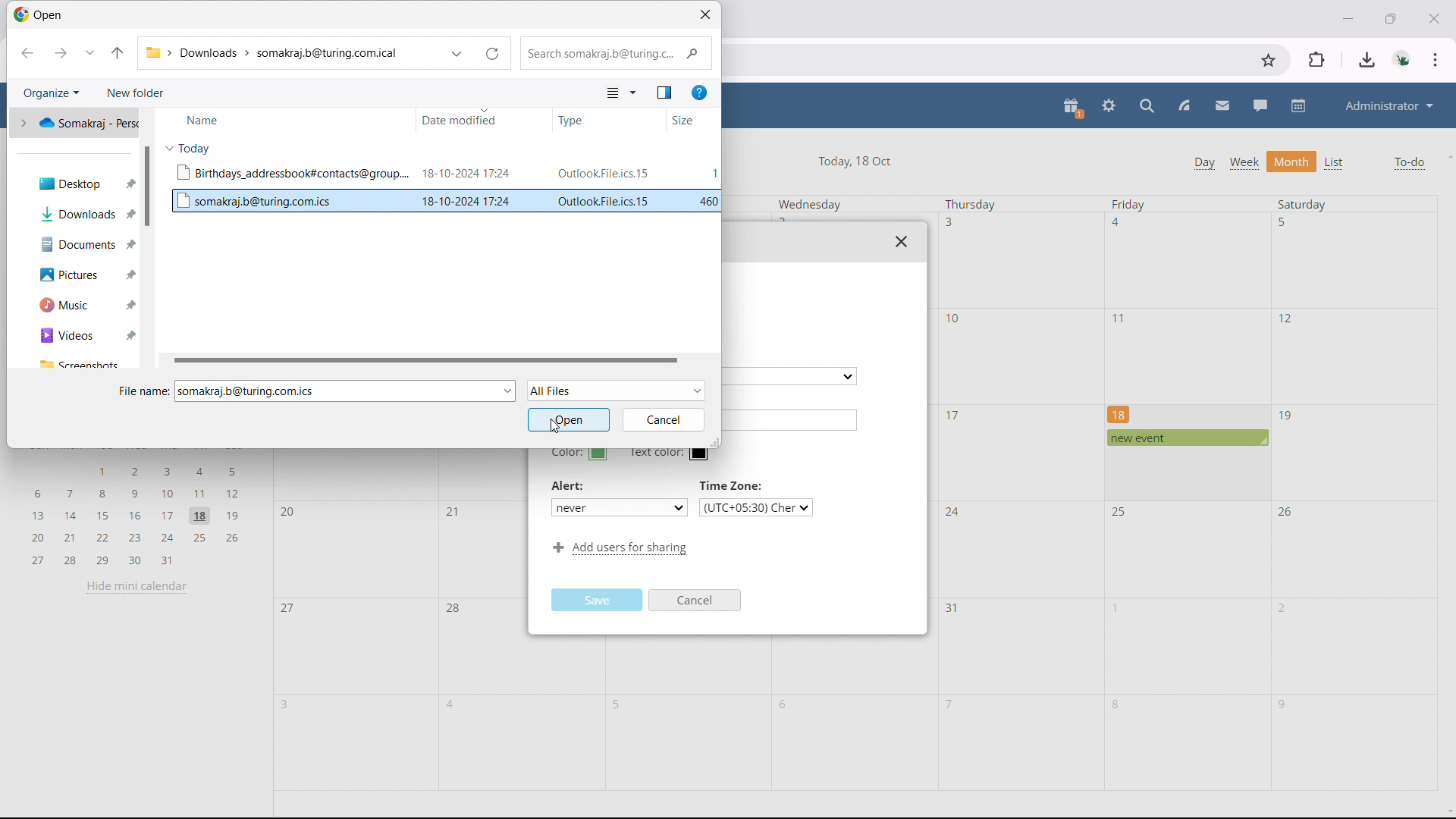 The height and width of the screenshot is (819, 1456). Describe the element at coordinates (136, 513) in the screenshot. I see `mini calendar` at that location.